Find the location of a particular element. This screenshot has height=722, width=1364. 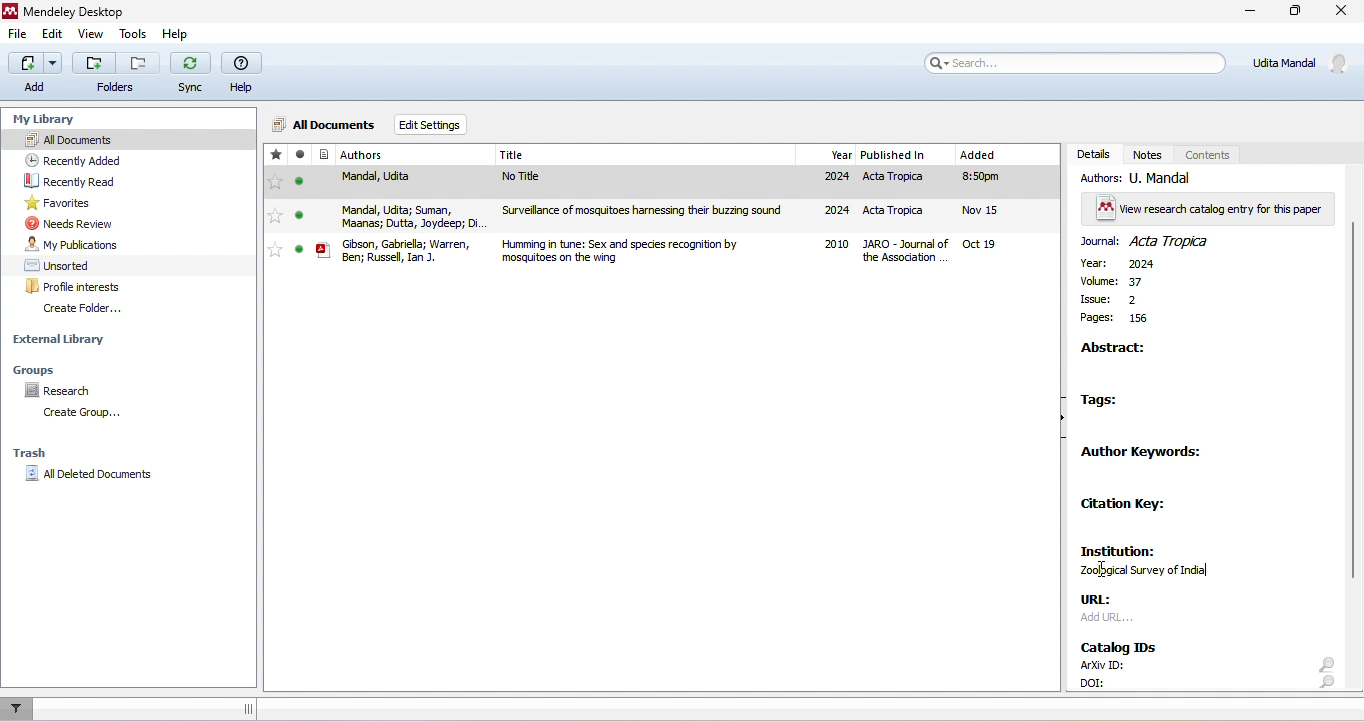

help is located at coordinates (179, 35).